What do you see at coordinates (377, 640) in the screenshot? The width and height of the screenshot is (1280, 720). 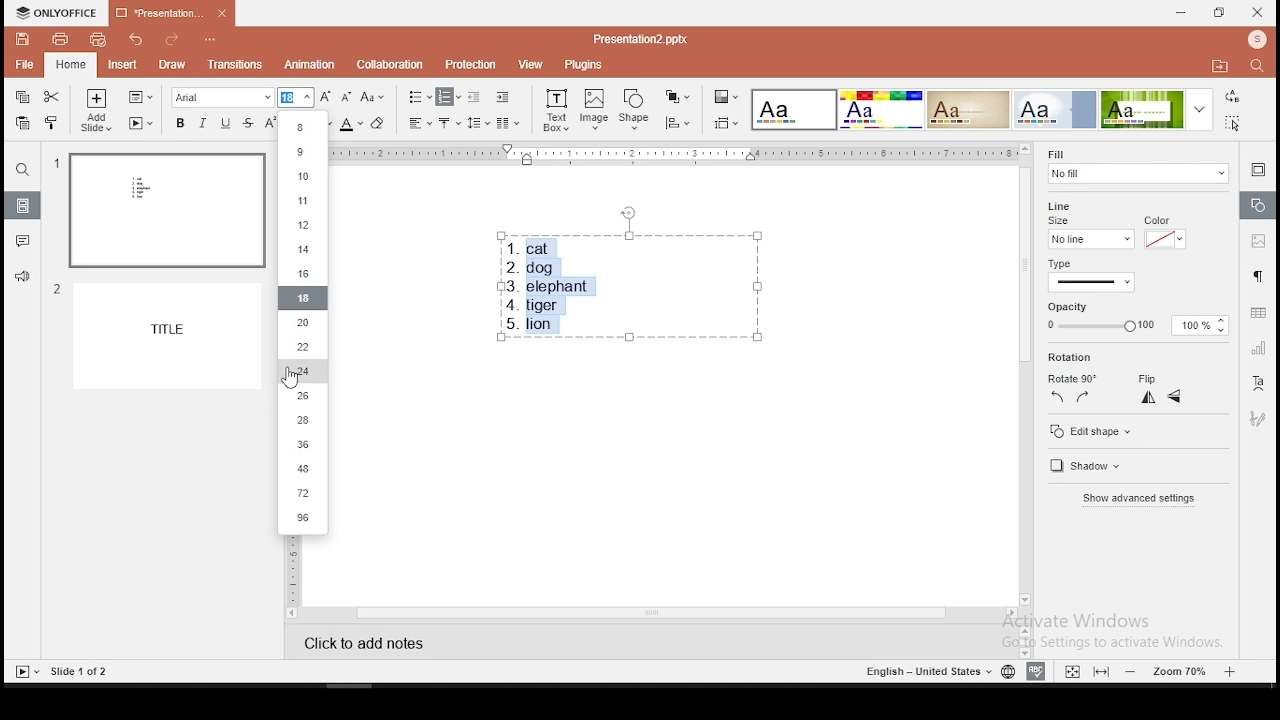 I see `click to add notes` at bounding box center [377, 640].